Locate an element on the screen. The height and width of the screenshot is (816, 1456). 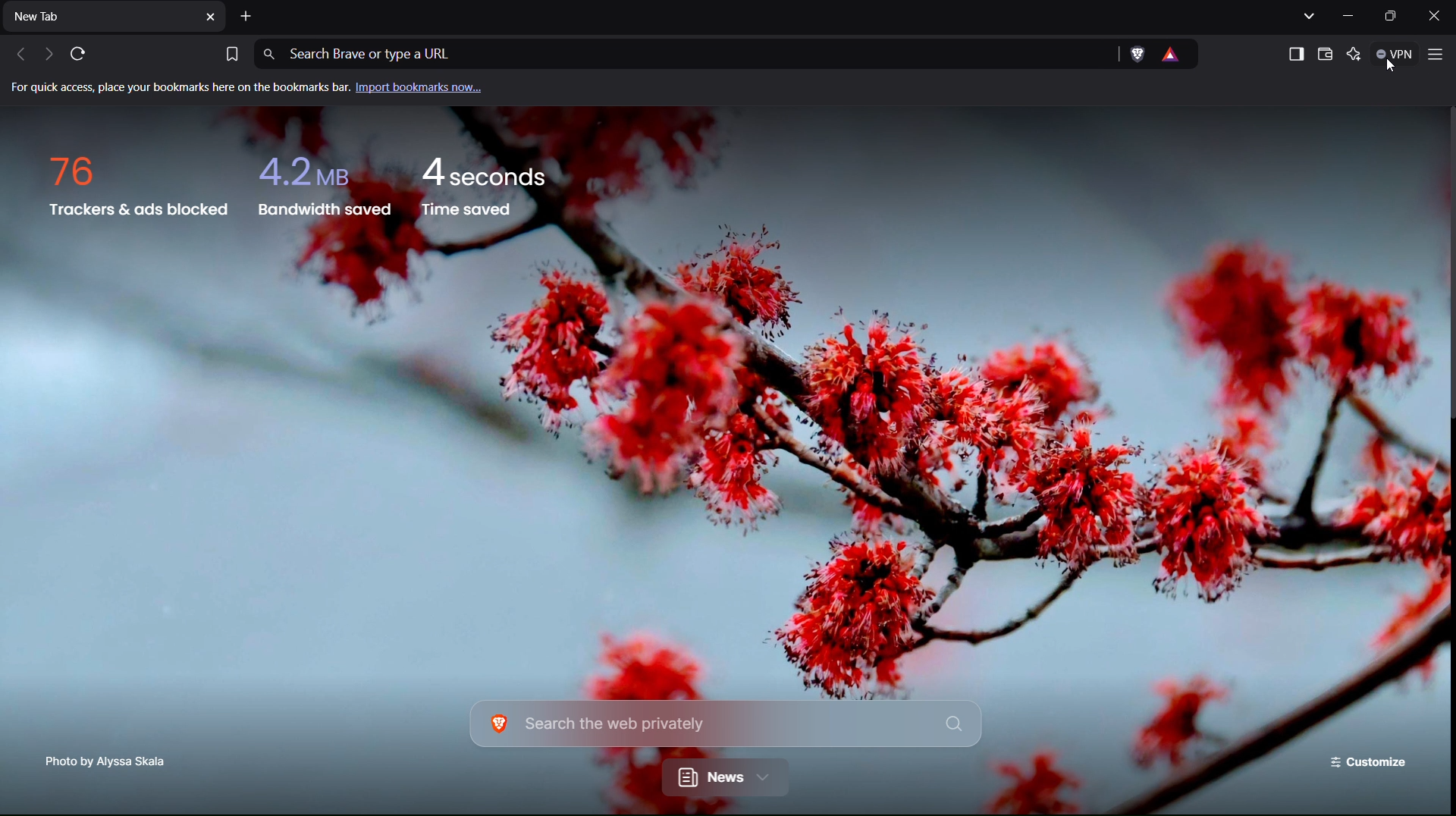
Maximize is located at coordinates (1396, 17).